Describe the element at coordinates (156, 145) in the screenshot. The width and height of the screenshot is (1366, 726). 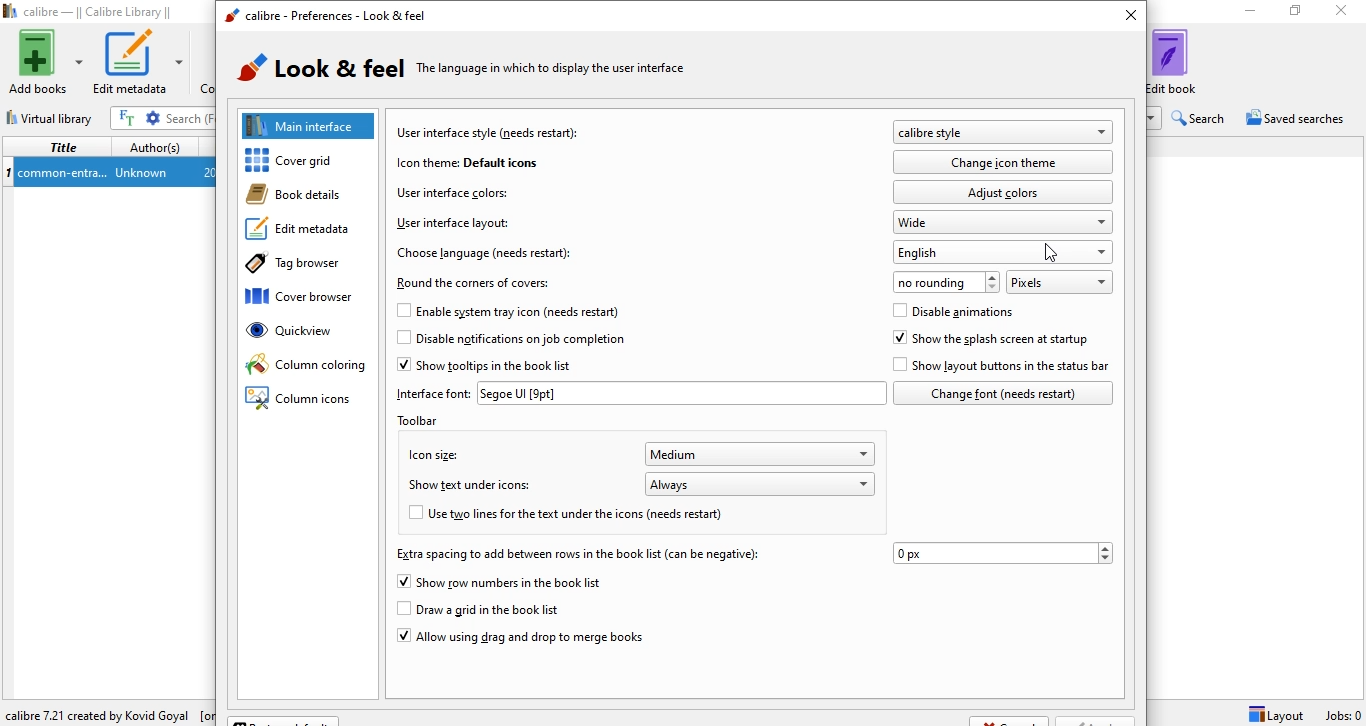
I see `Author(s)` at that location.